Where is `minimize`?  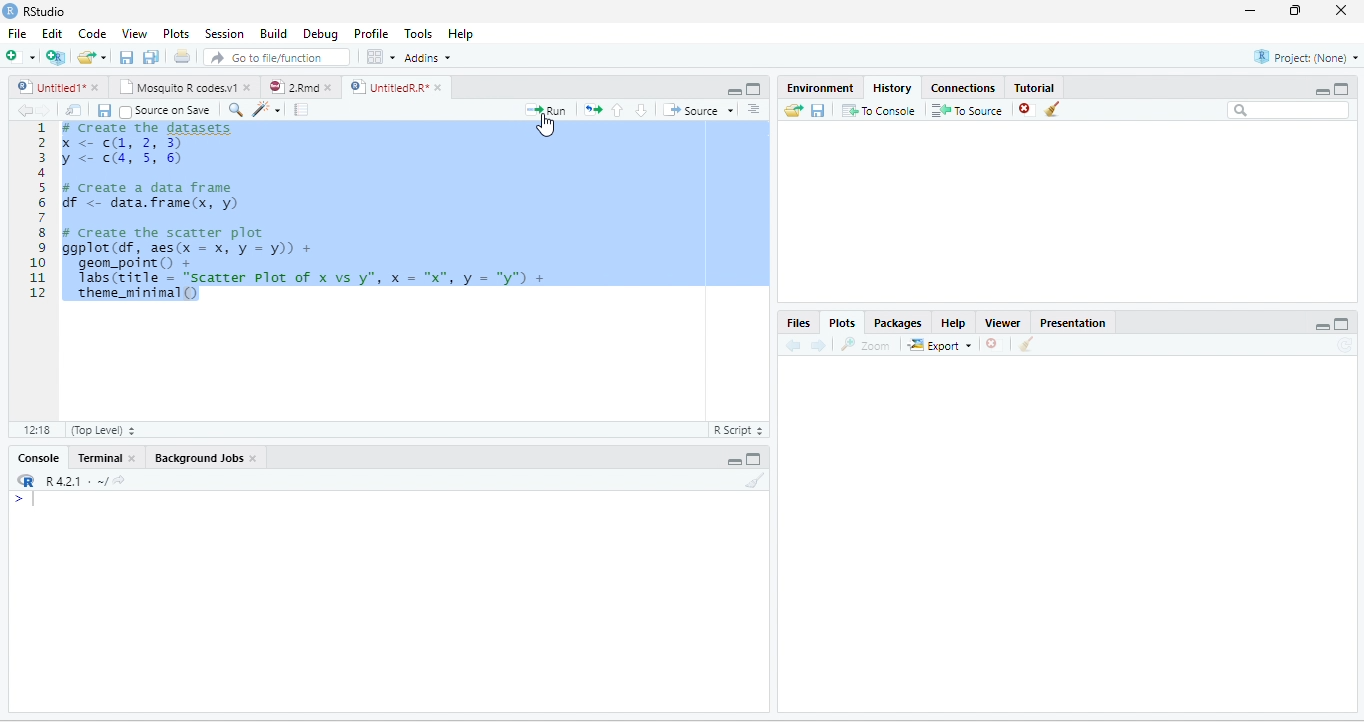 minimize is located at coordinates (1251, 11).